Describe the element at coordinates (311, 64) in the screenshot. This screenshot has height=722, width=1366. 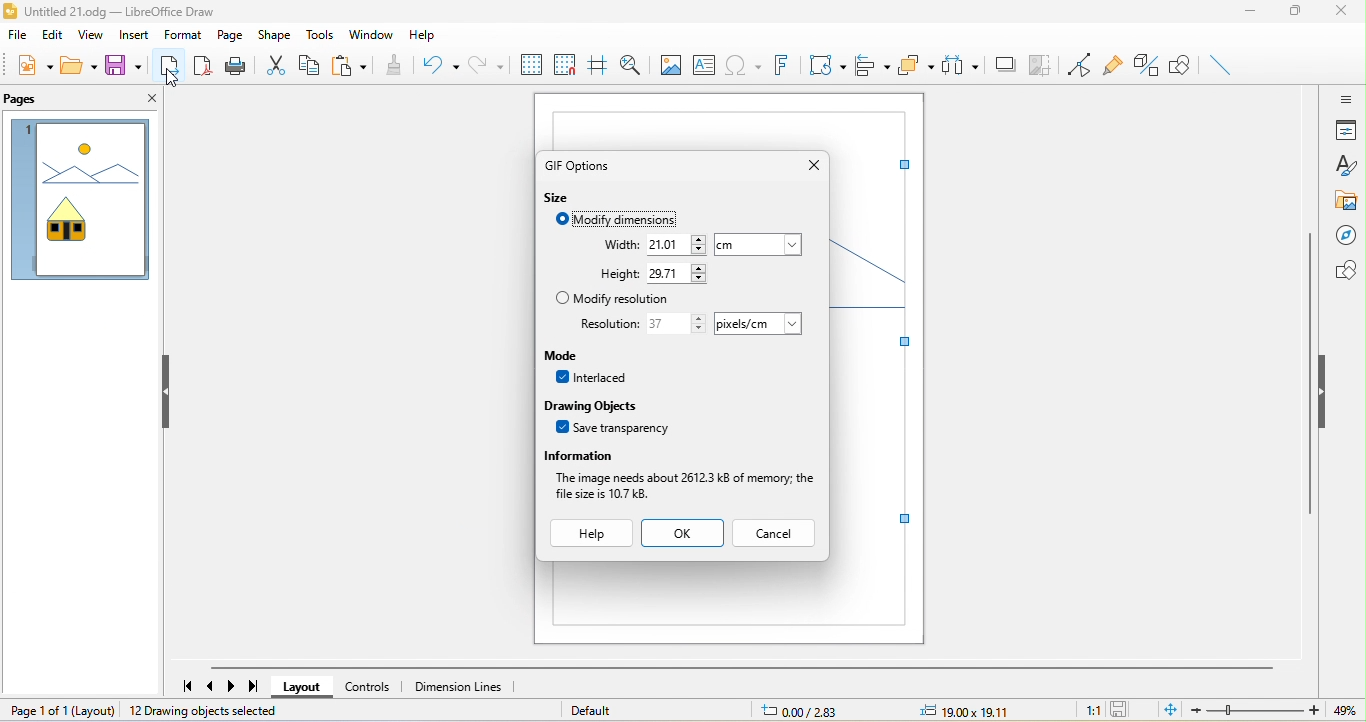
I see `copy` at that location.